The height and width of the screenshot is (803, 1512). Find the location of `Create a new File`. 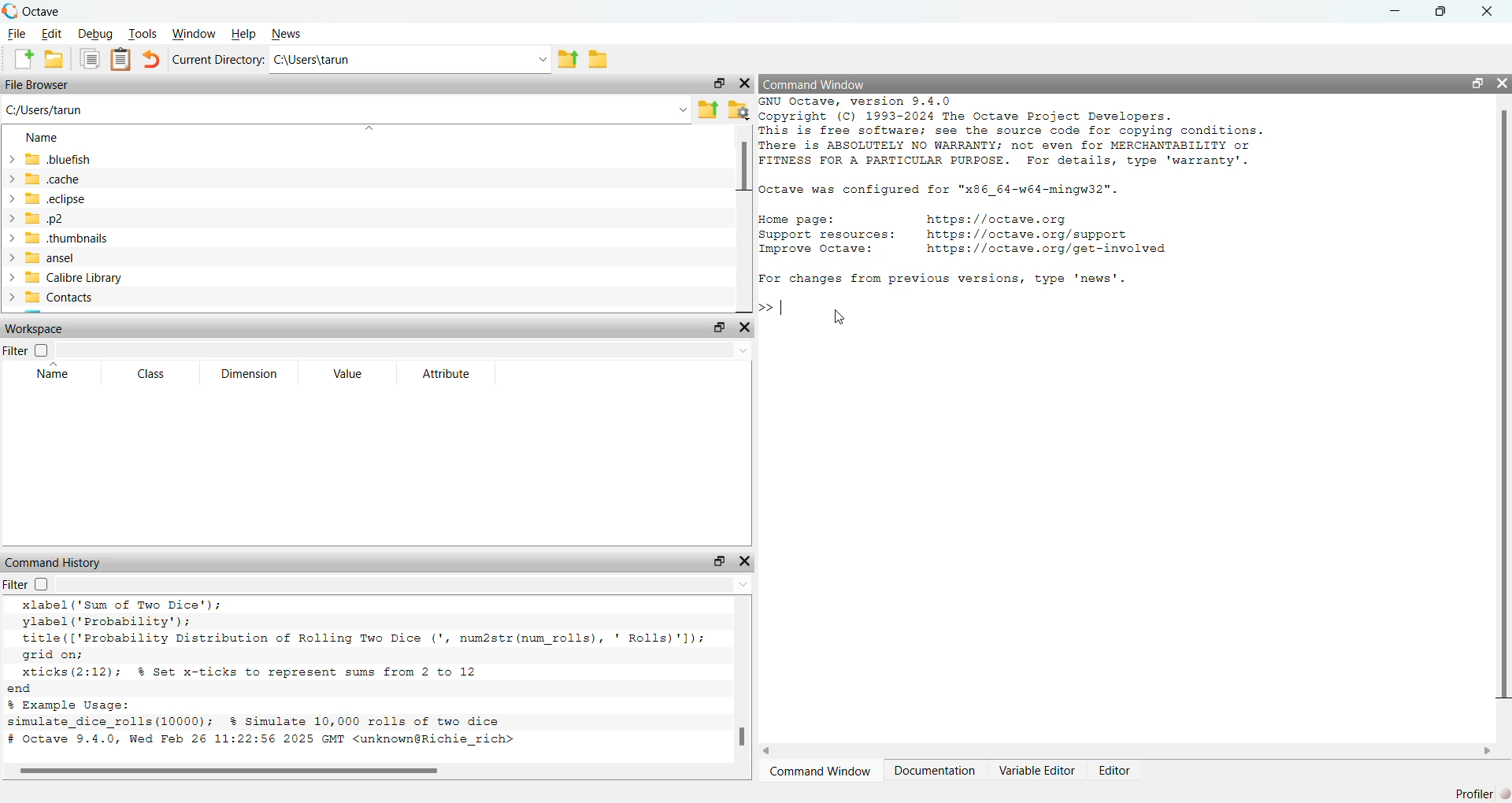

Create a new File is located at coordinates (24, 59).